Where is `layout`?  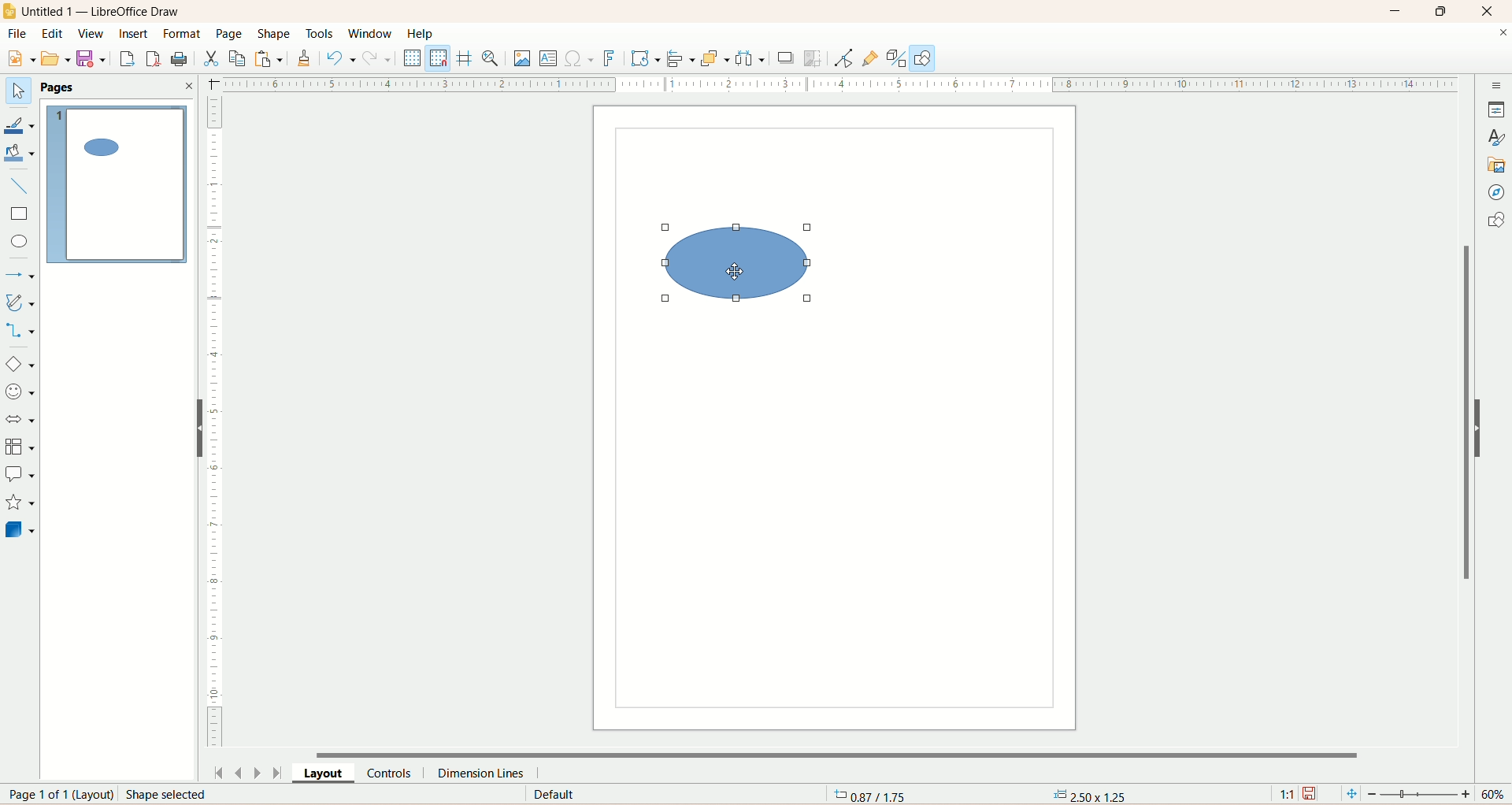 layout is located at coordinates (327, 772).